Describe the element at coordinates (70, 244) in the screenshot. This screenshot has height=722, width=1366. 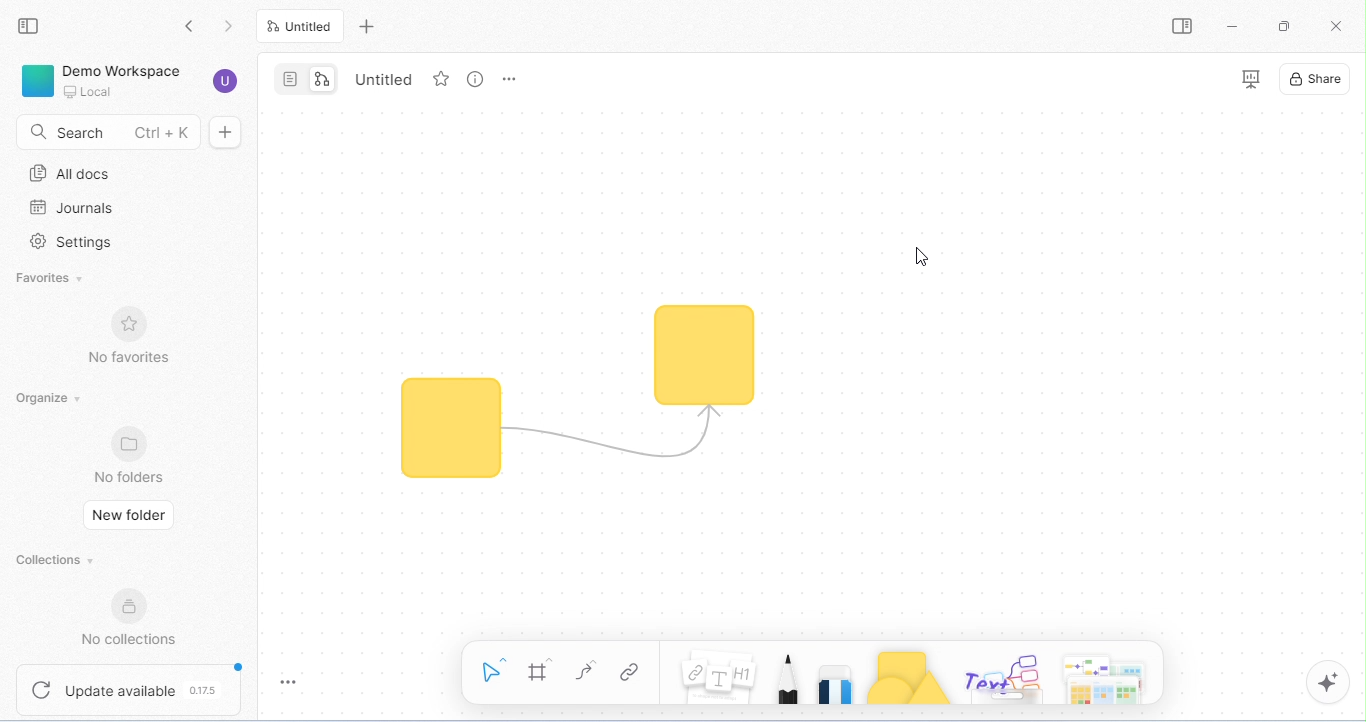
I see `settings` at that location.